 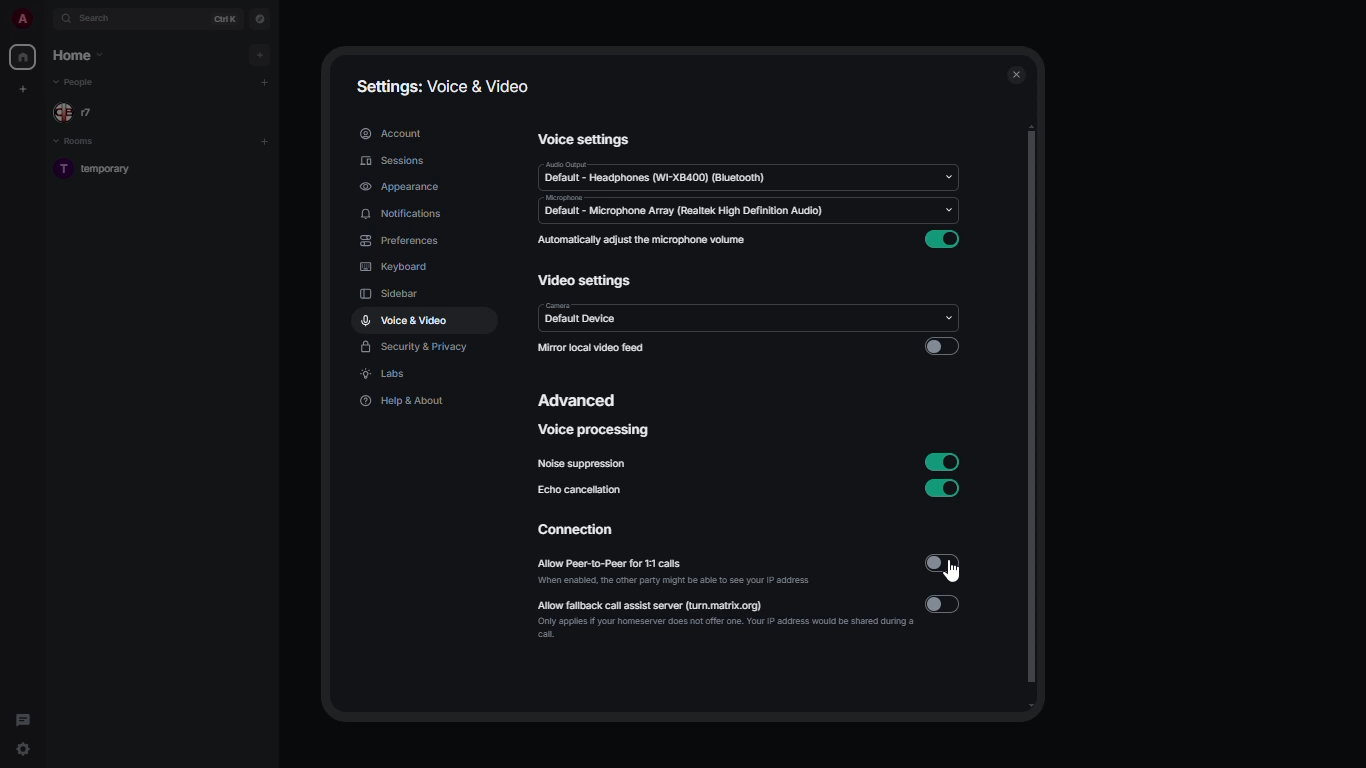 I want to click on bw aa ca ee —
cat, so click(x=739, y=631).